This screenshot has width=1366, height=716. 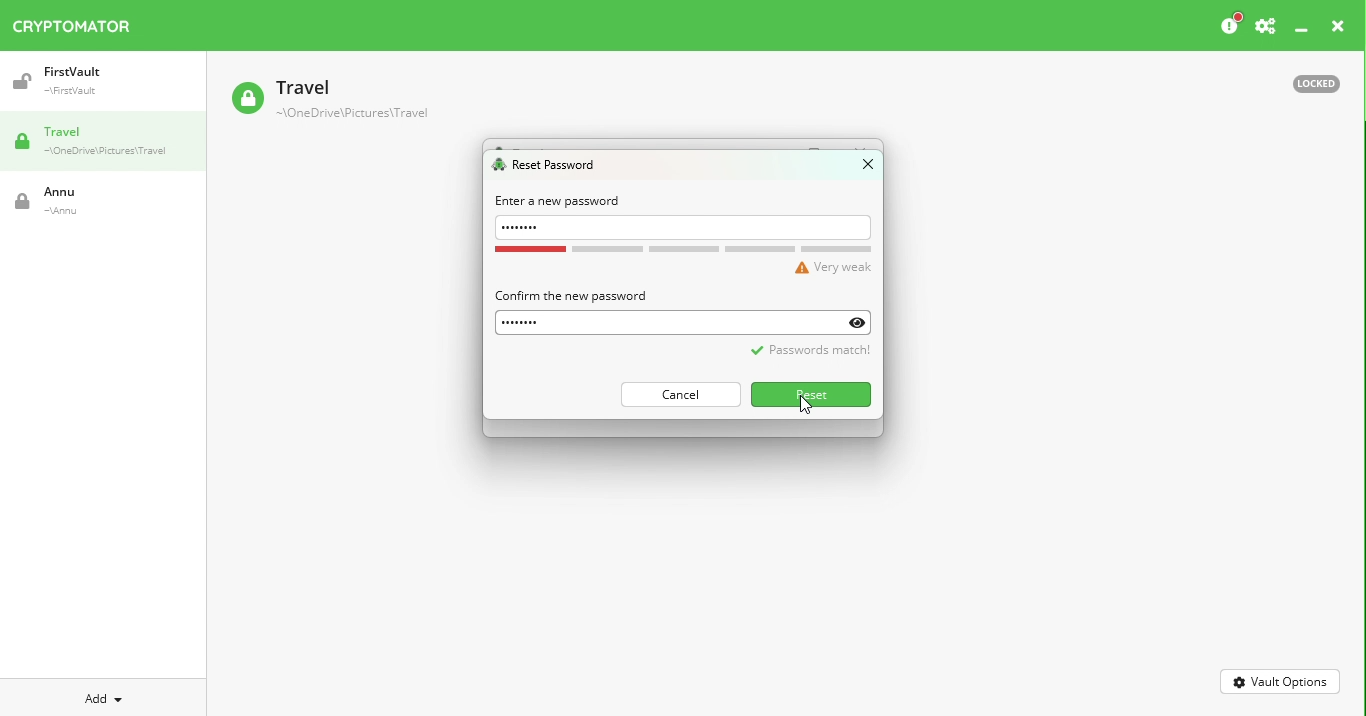 What do you see at coordinates (1229, 25) in the screenshot?
I see `Please consider donating` at bounding box center [1229, 25].